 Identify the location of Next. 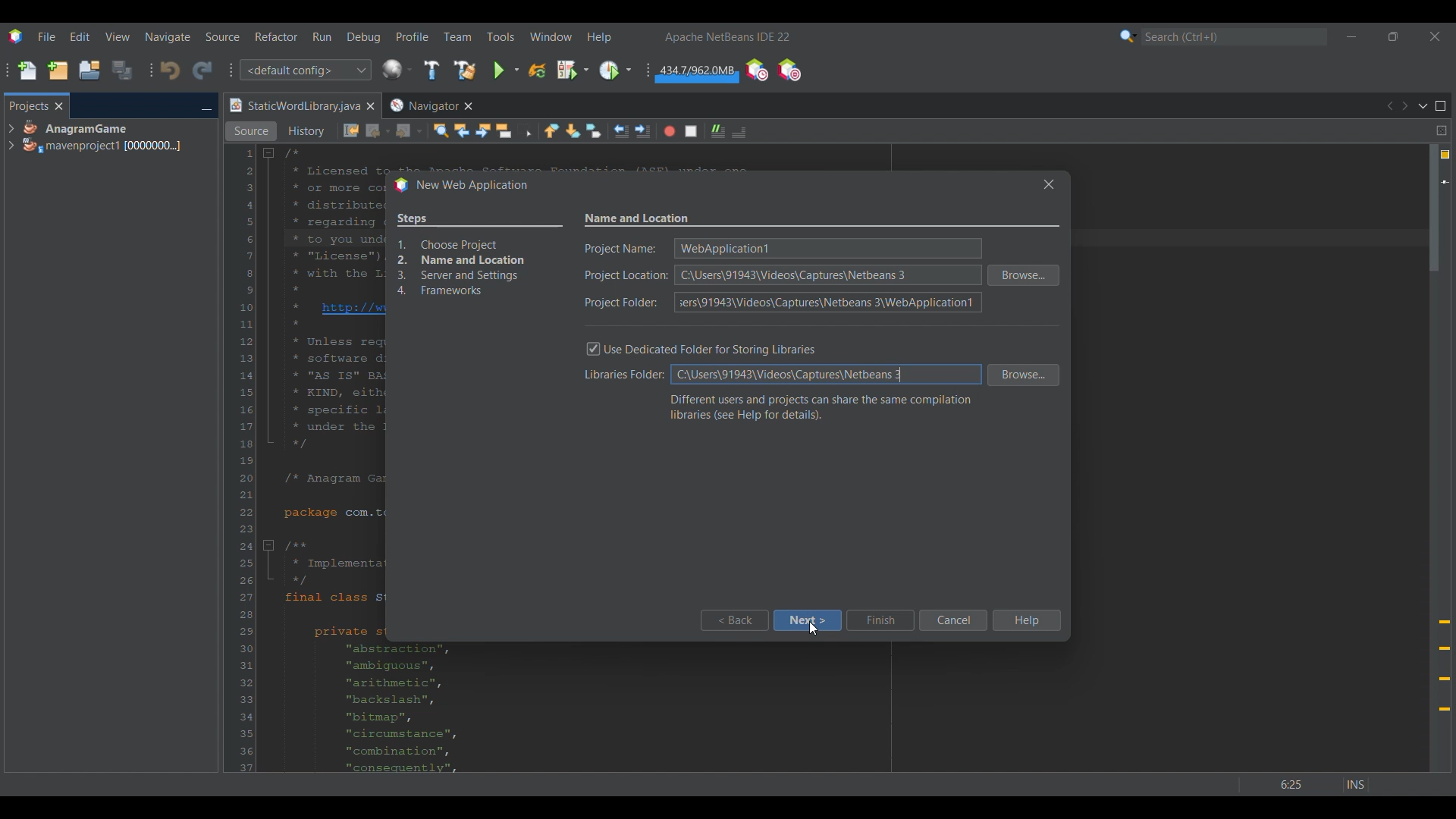
(1404, 106).